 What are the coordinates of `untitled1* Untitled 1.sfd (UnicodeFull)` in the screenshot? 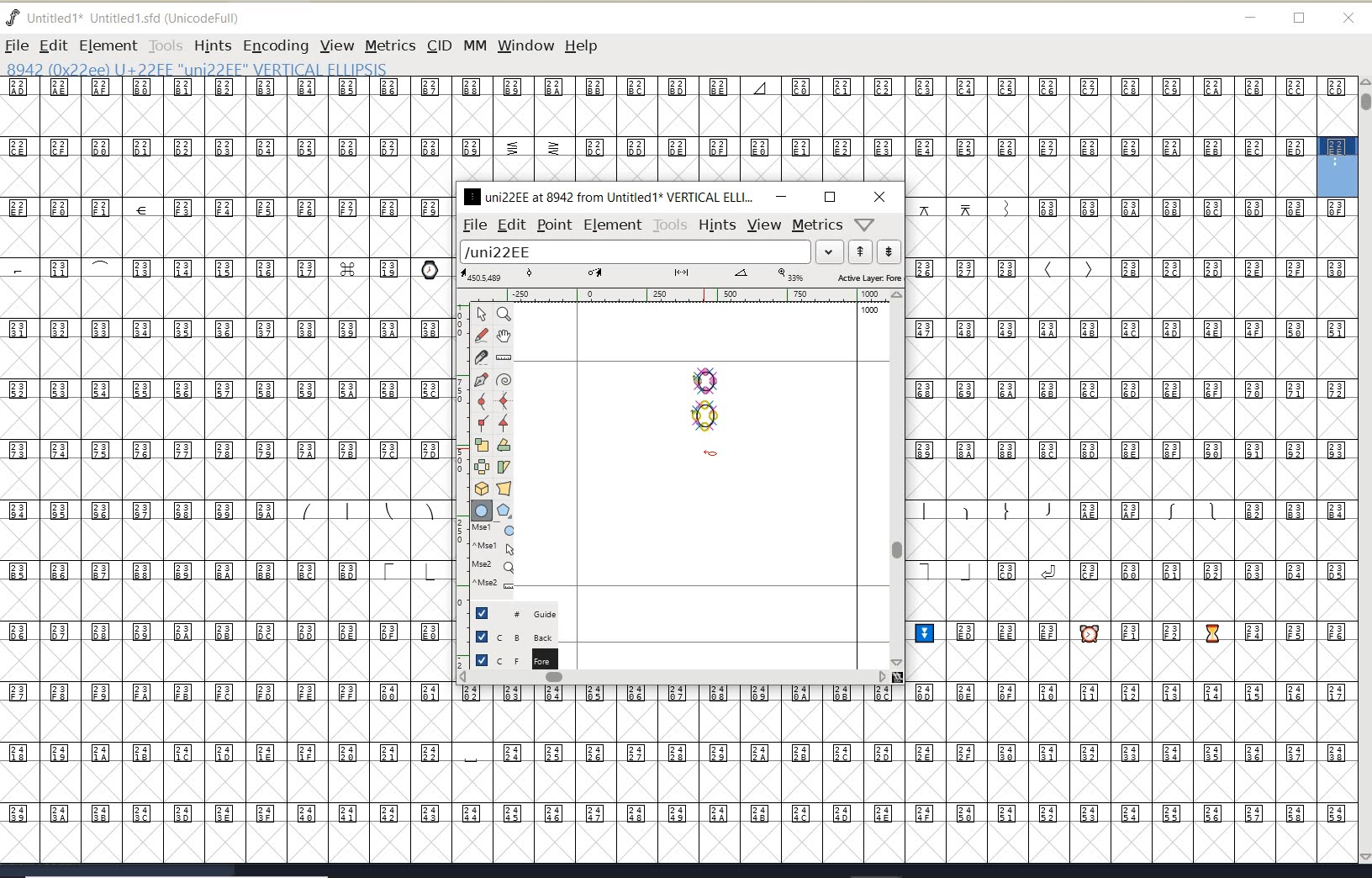 It's located at (141, 16).